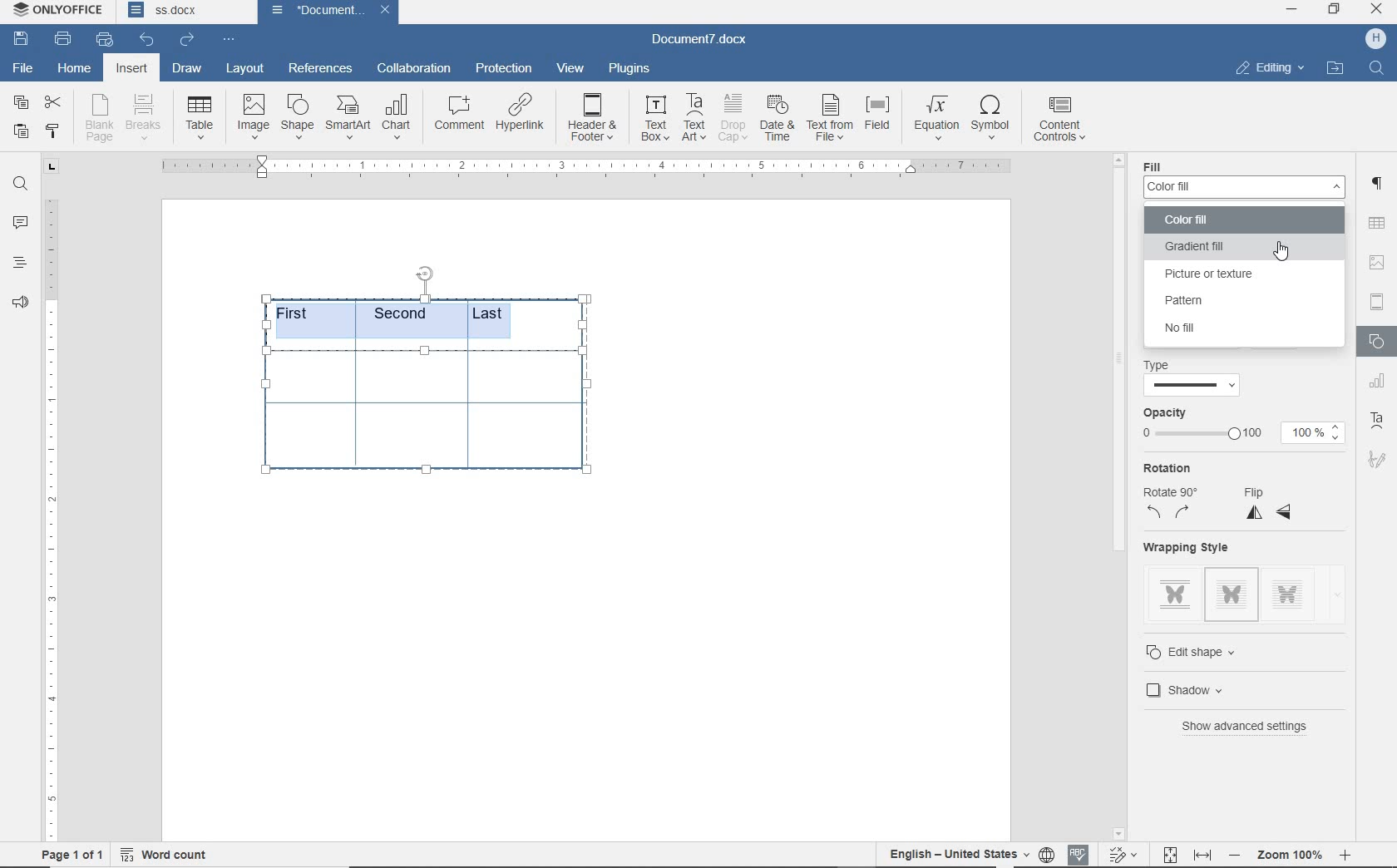 The height and width of the screenshot is (868, 1397). What do you see at coordinates (1377, 181) in the screenshot?
I see `PARAGRAPH SETTINGS` at bounding box center [1377, 181].